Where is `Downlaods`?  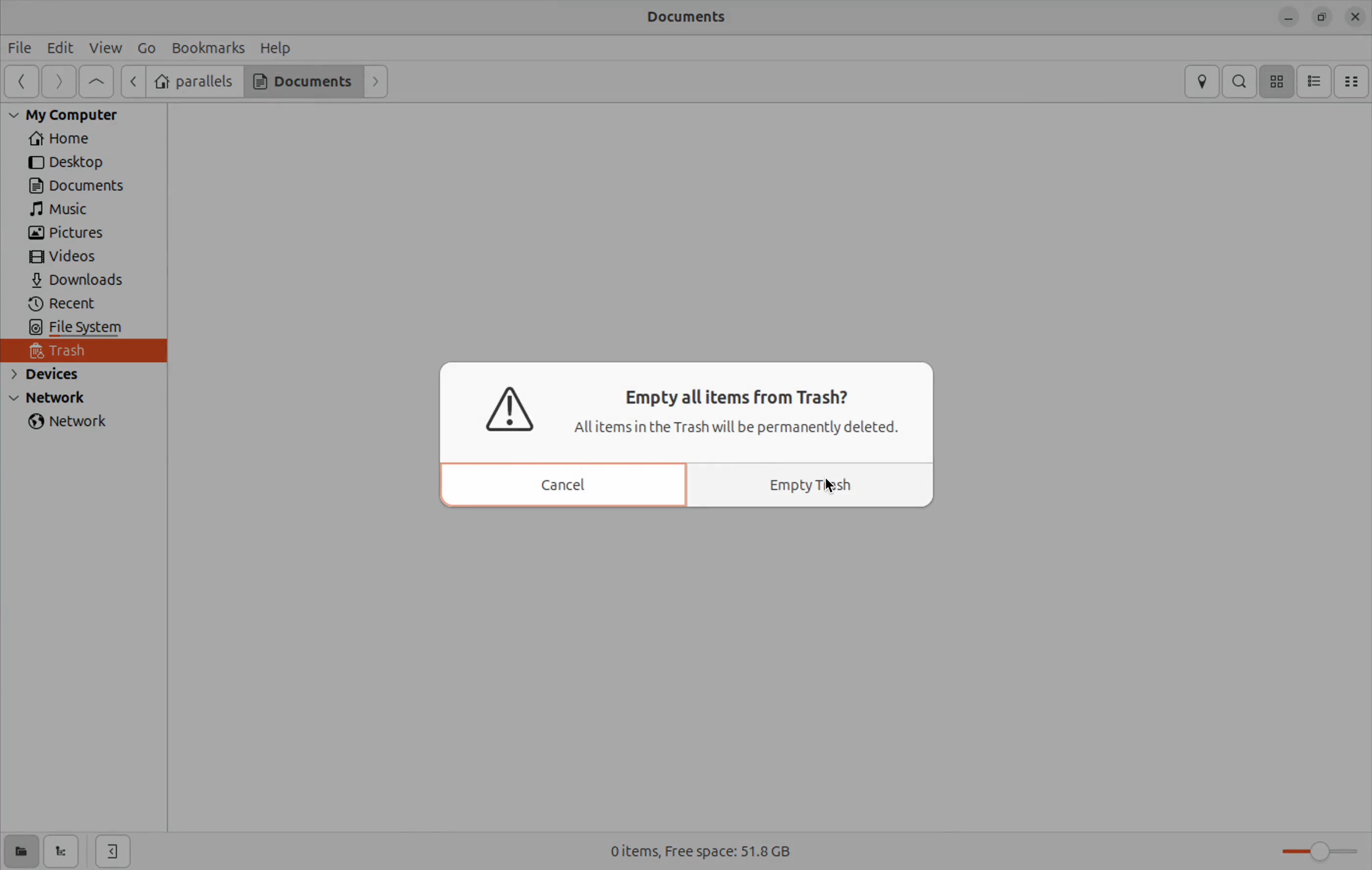 Downlaods is located at coordinates (81, 281).